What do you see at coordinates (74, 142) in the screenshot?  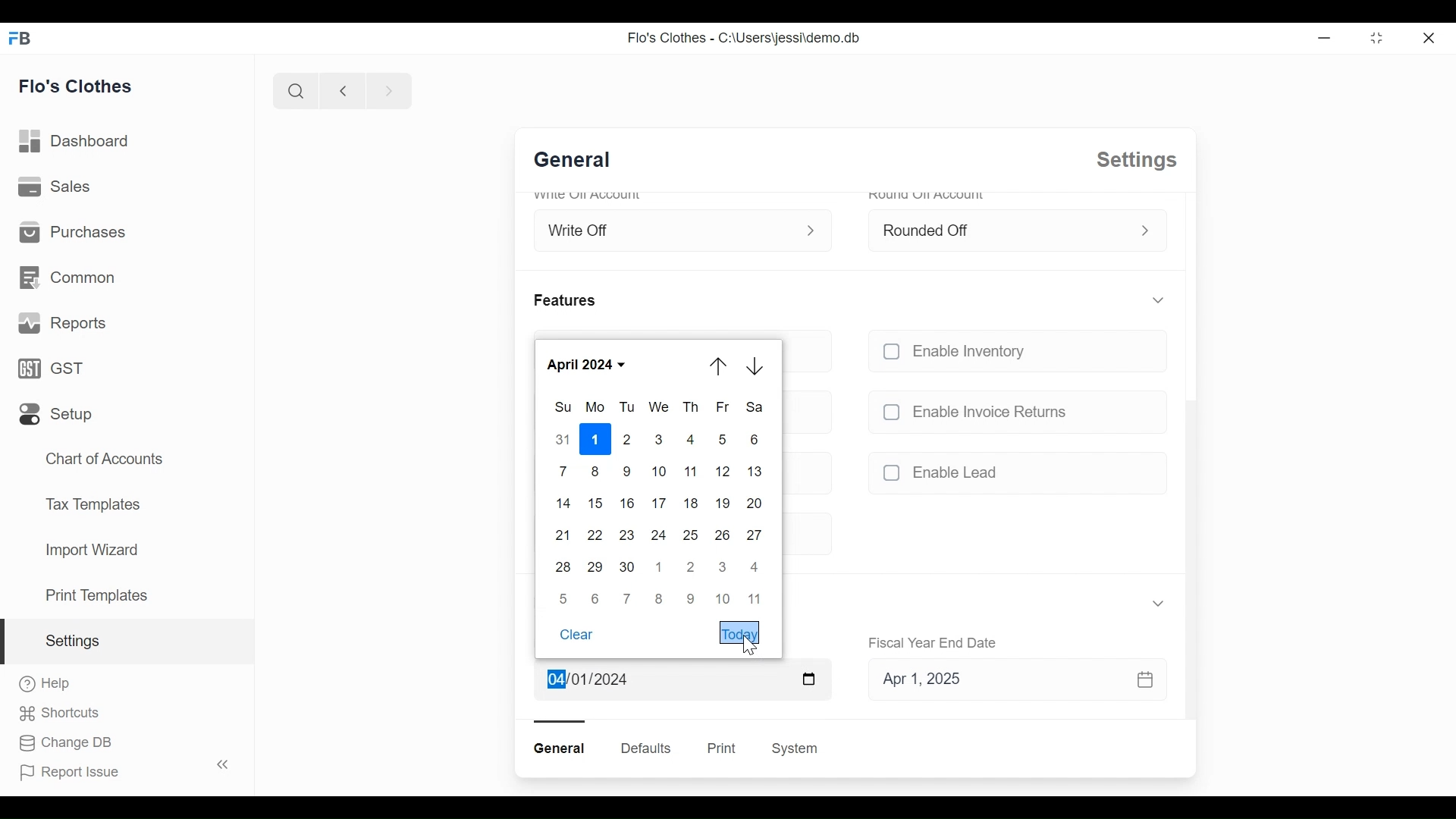 I see `Dashboard` at bounding box center [74, 142].